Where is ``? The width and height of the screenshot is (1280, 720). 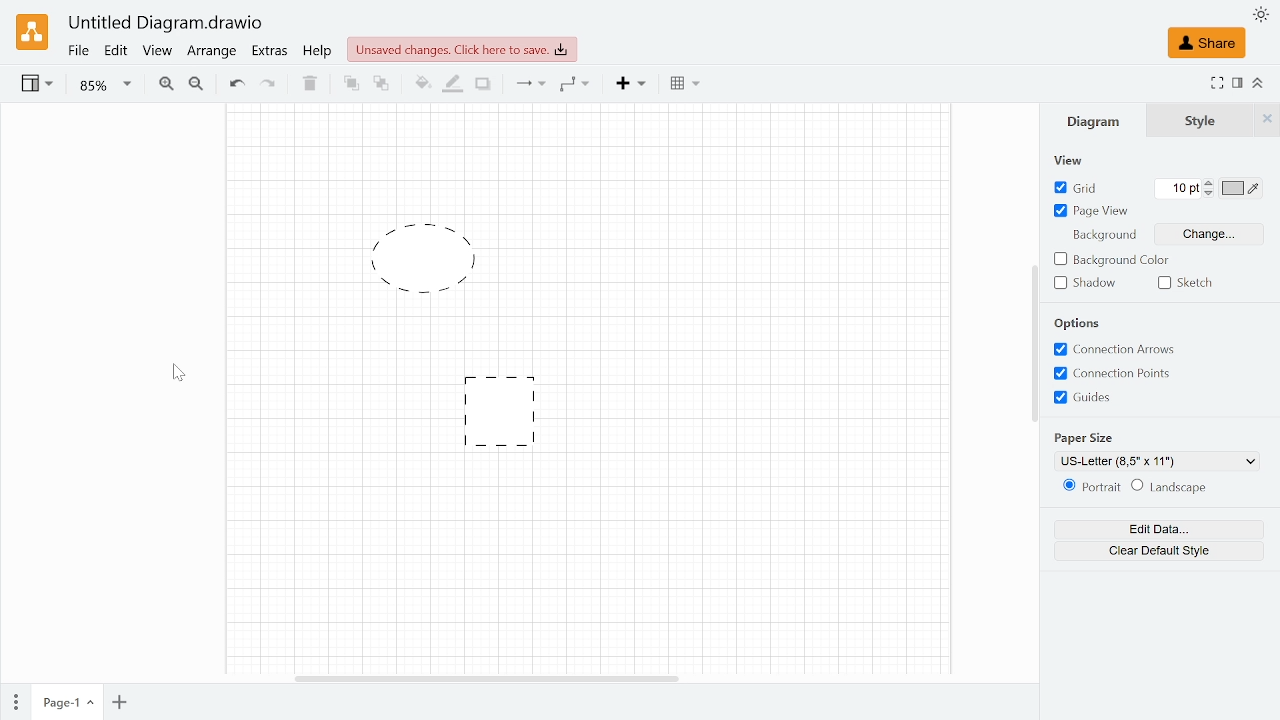
 is located at coordinates (1094, 123).